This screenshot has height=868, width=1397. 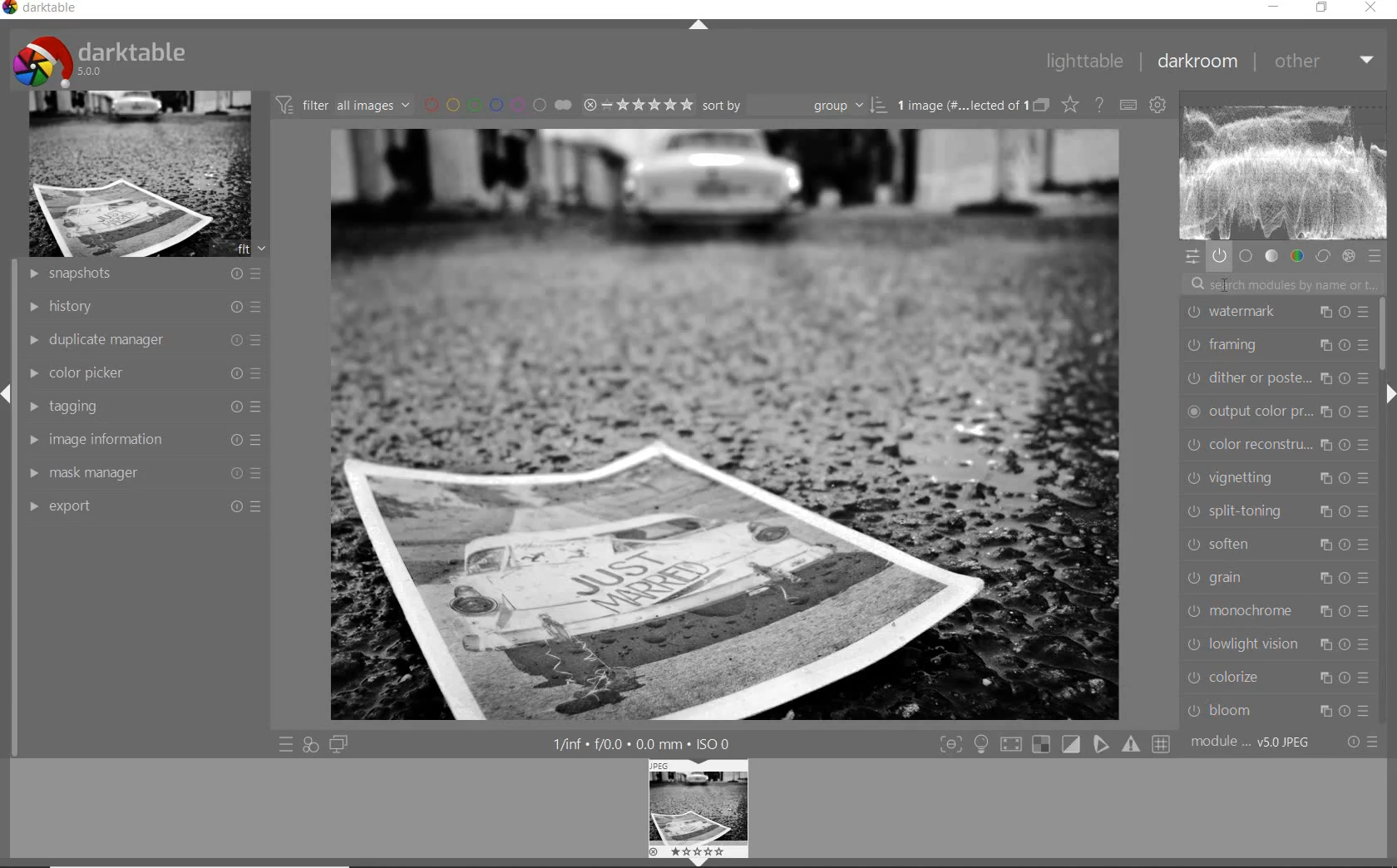 What do you see at coordinates (698, 27) in the screenshot?
I see `expand/collapse` at bounding box center [698, 27].